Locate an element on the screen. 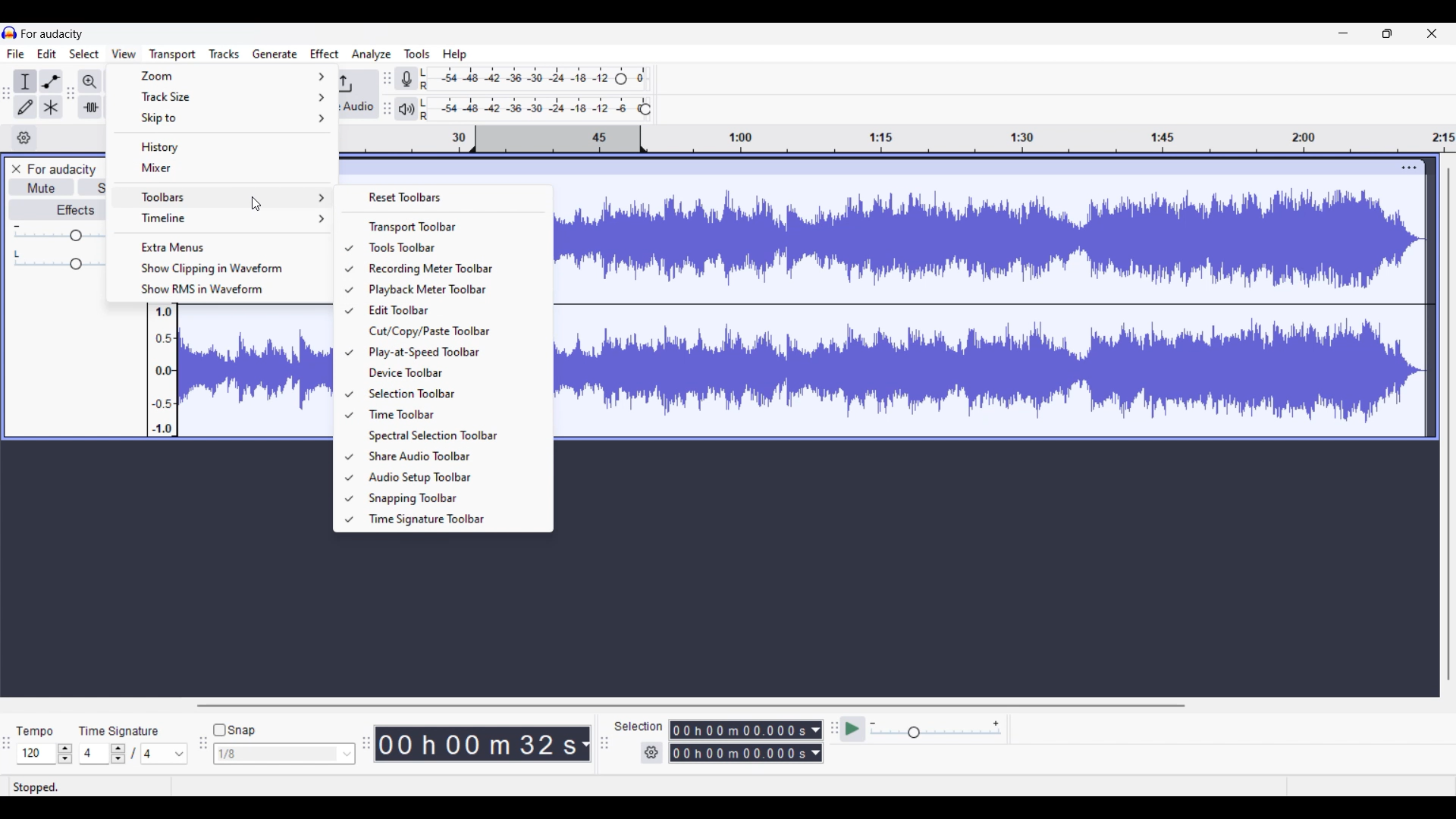 The height and width of the screenshot is (819, 1456). Multi-tool is located at coordinates (51, 107).